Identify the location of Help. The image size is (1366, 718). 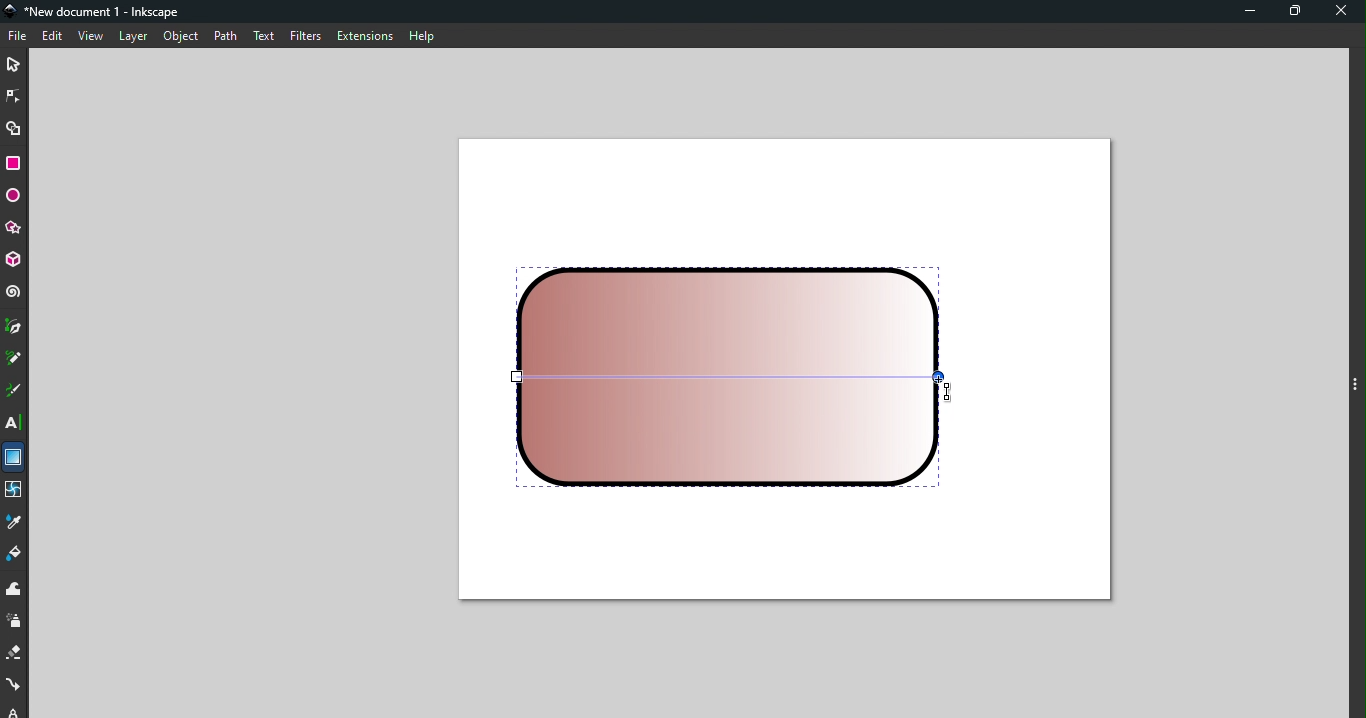
(421, 33).